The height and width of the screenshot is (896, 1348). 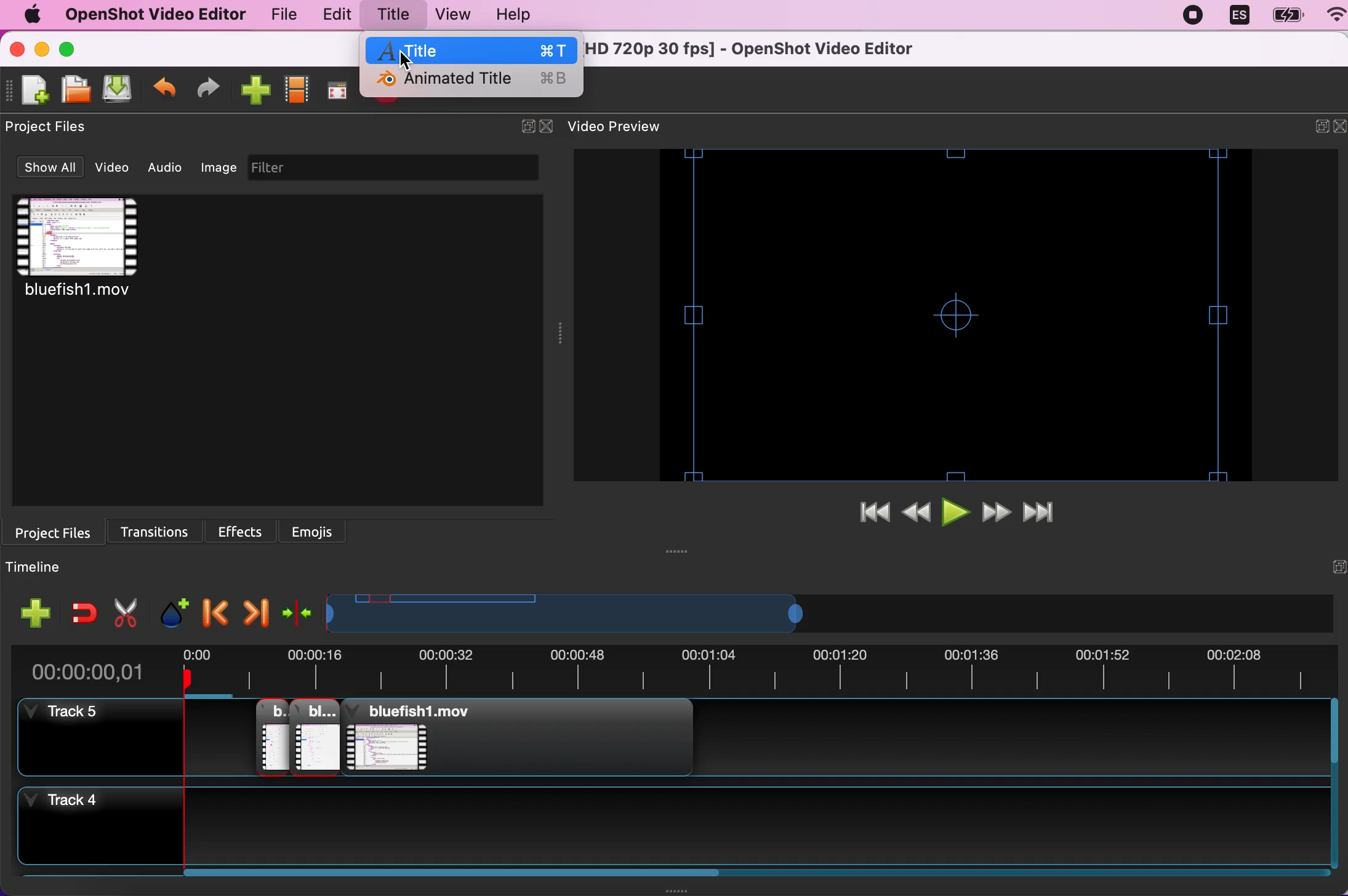 I want to click on show all, so click(x=48, y=169).